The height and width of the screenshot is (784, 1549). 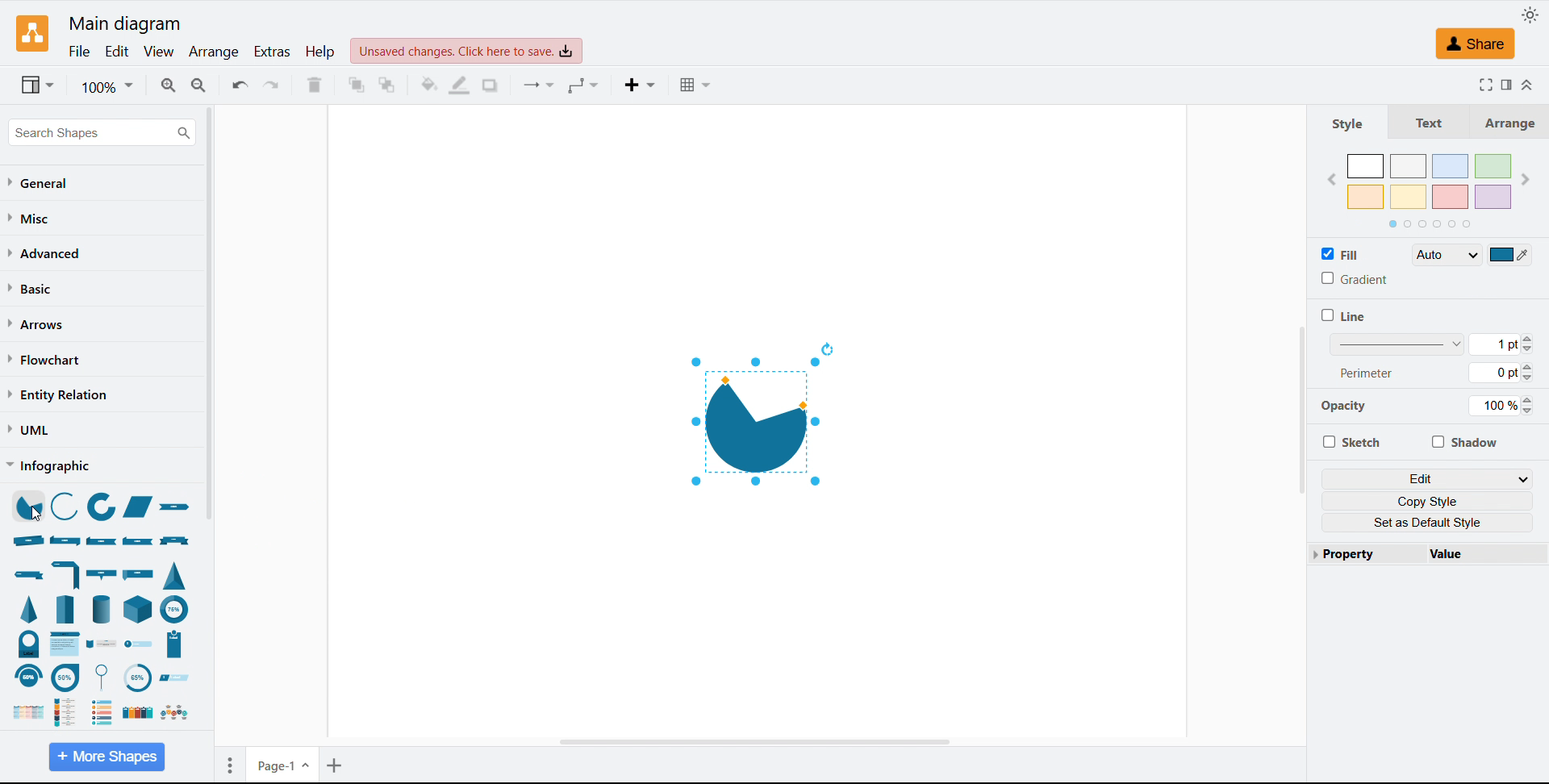 I want to click on chevron list, so click(x=27, y=714).